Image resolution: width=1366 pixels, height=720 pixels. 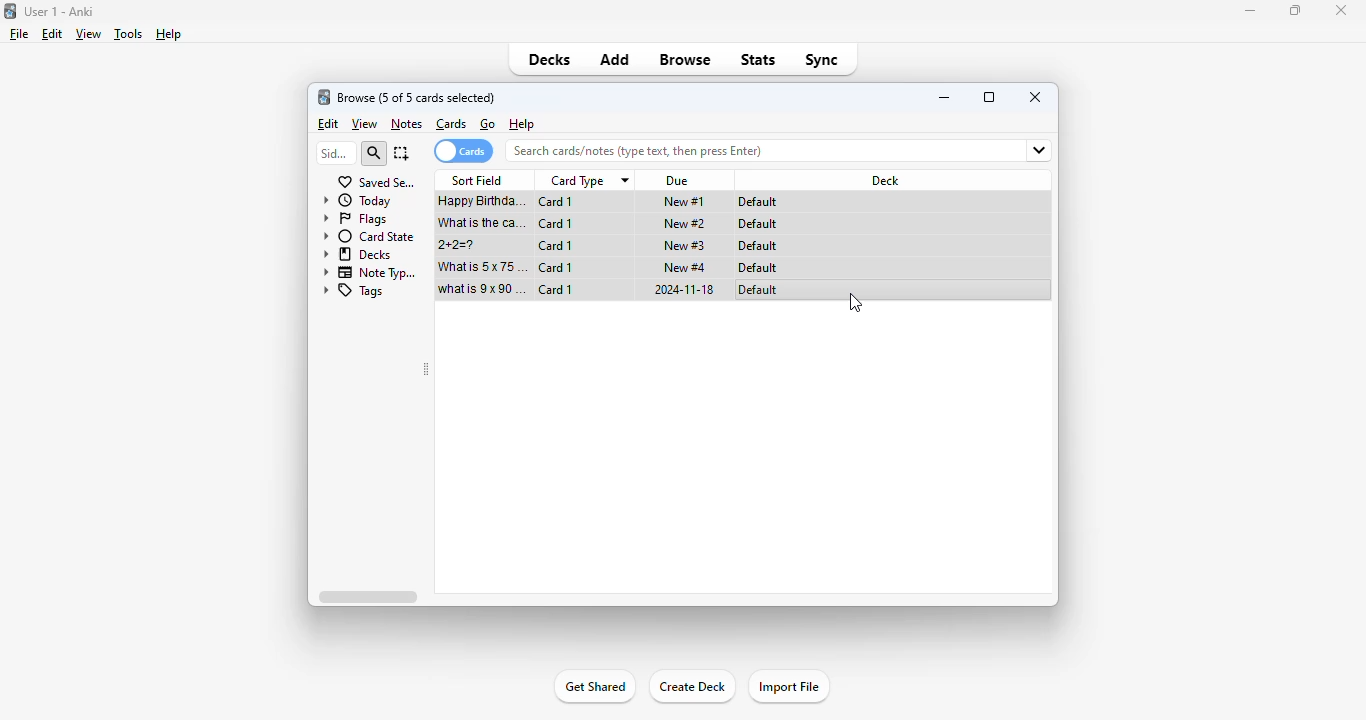 What do you see at coordinates (946, 97) in the screenshot?
I see `minimize` at bounding box center [946, 97].